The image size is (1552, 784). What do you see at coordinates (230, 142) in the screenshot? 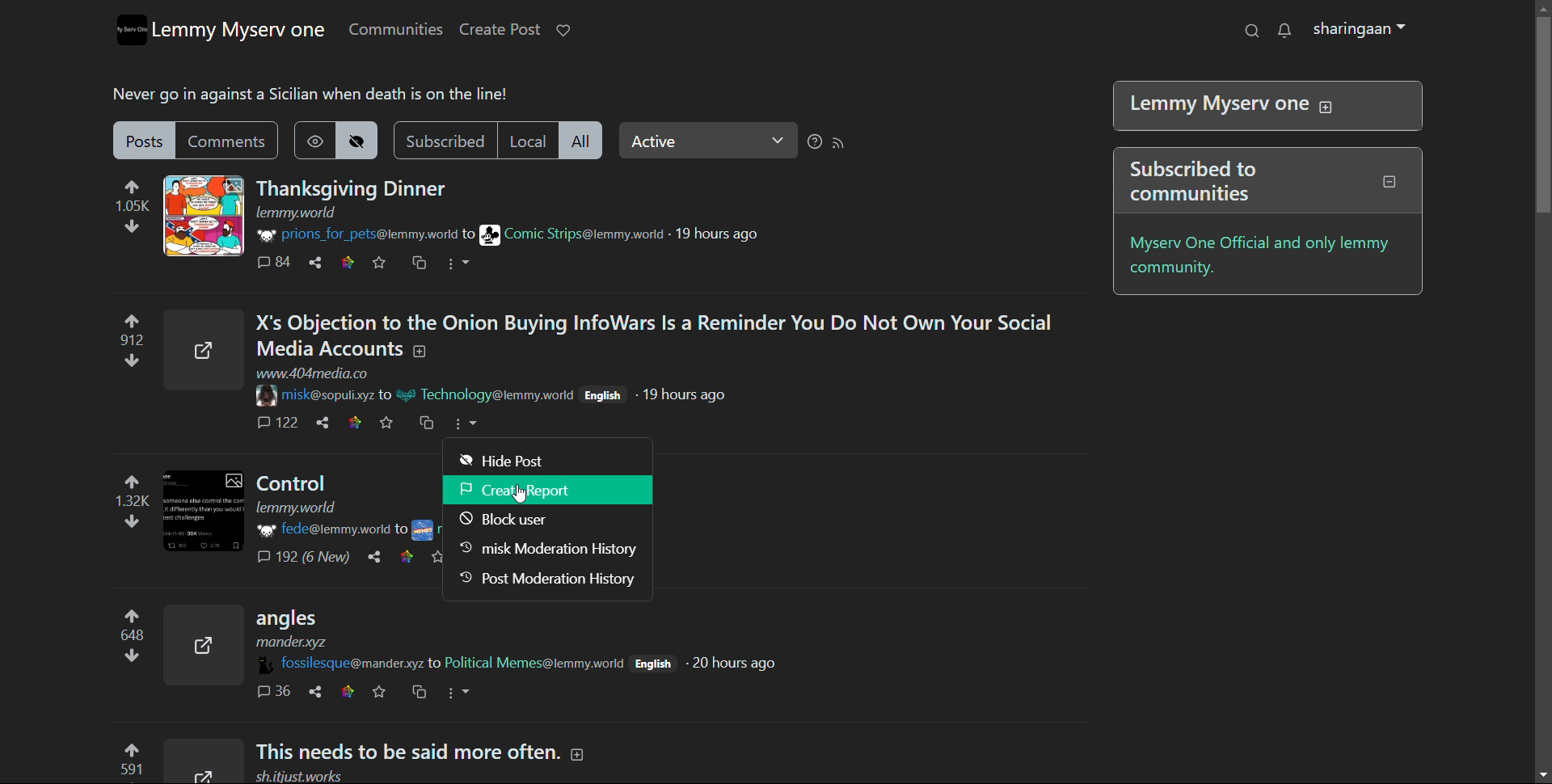
I see `comments` at bounding box center [230, 142].